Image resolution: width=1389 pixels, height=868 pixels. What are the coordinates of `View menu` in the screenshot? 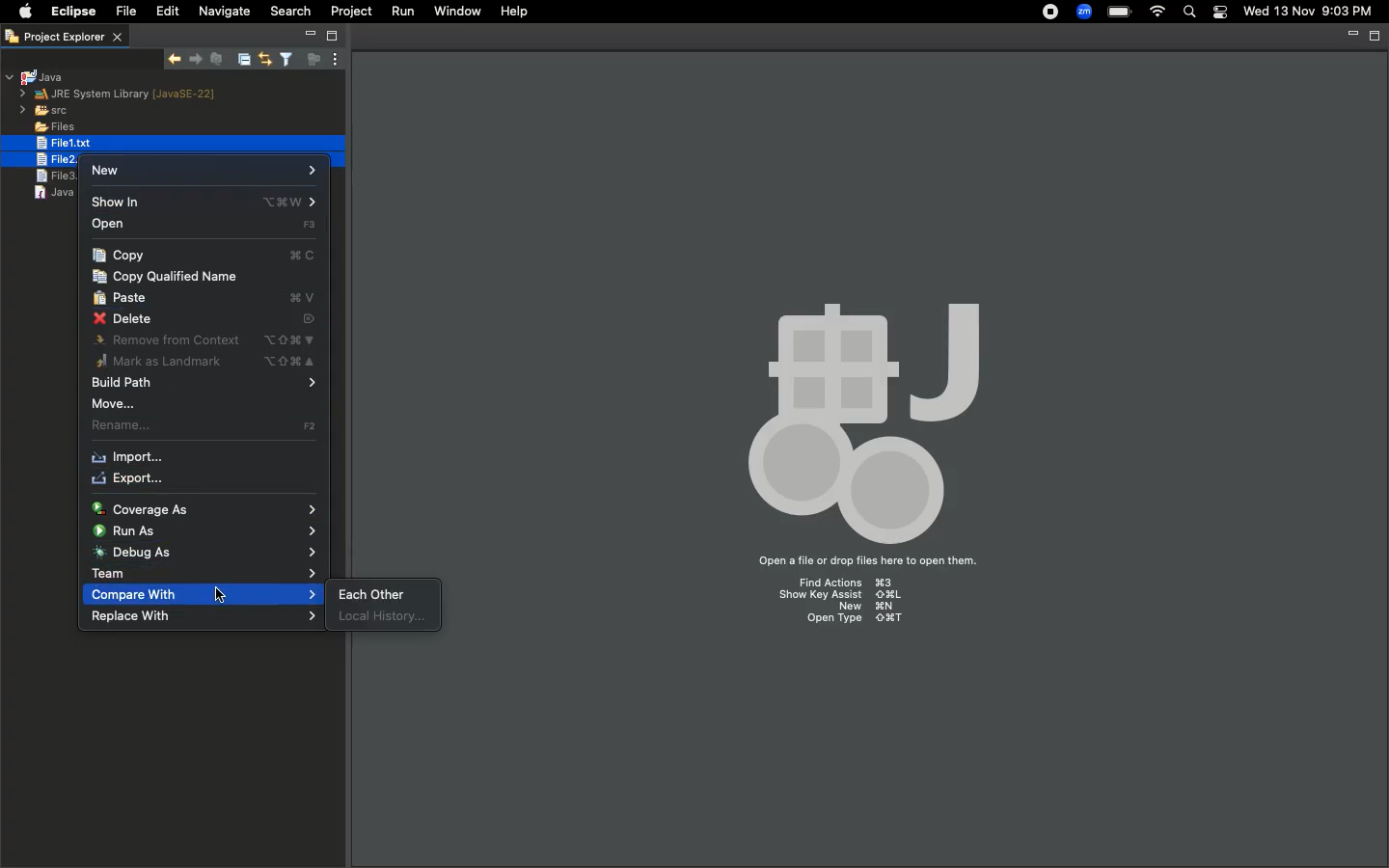 It's located at (333, 60).